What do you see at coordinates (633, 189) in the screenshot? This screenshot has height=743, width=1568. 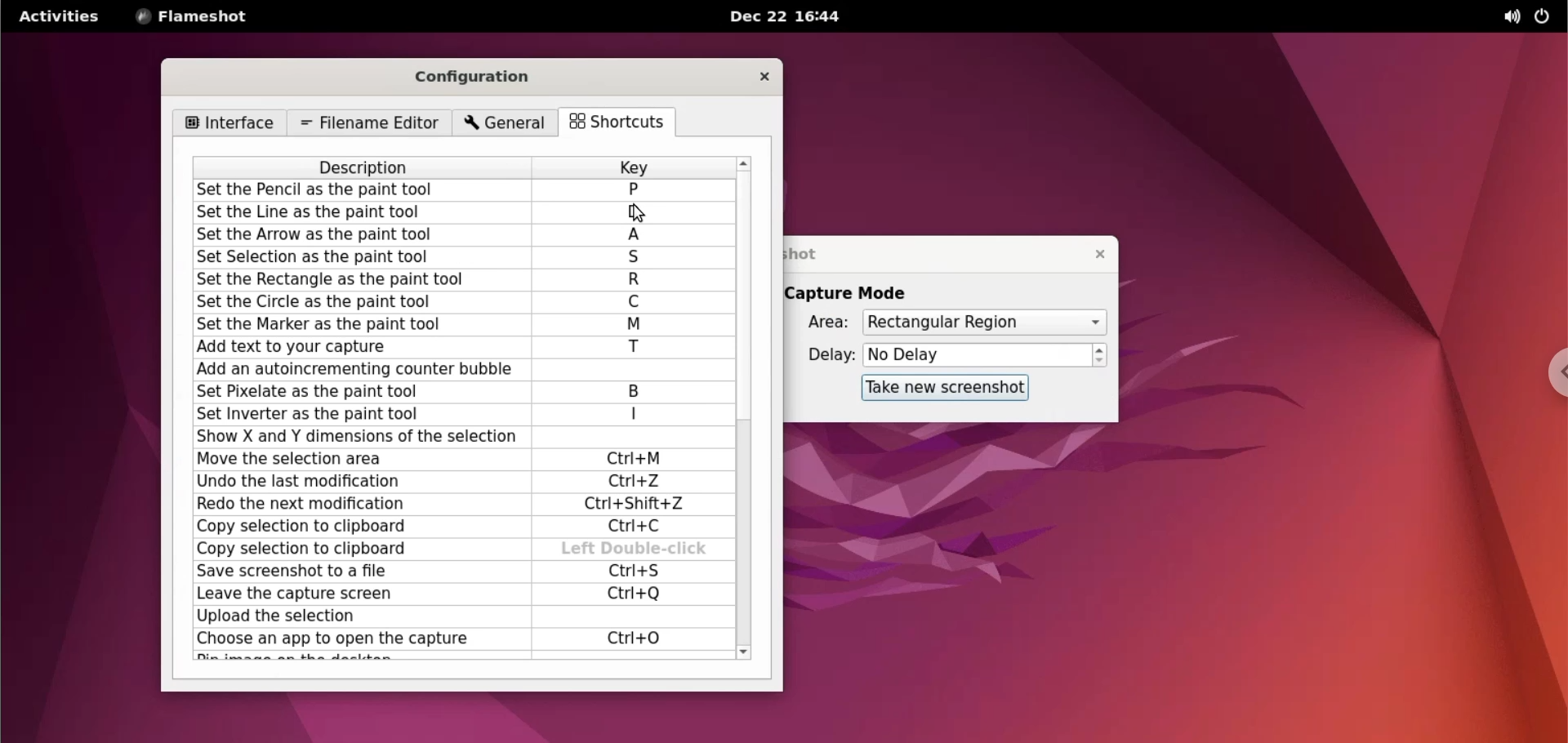 I see `P` at bounding box center [633, 189].